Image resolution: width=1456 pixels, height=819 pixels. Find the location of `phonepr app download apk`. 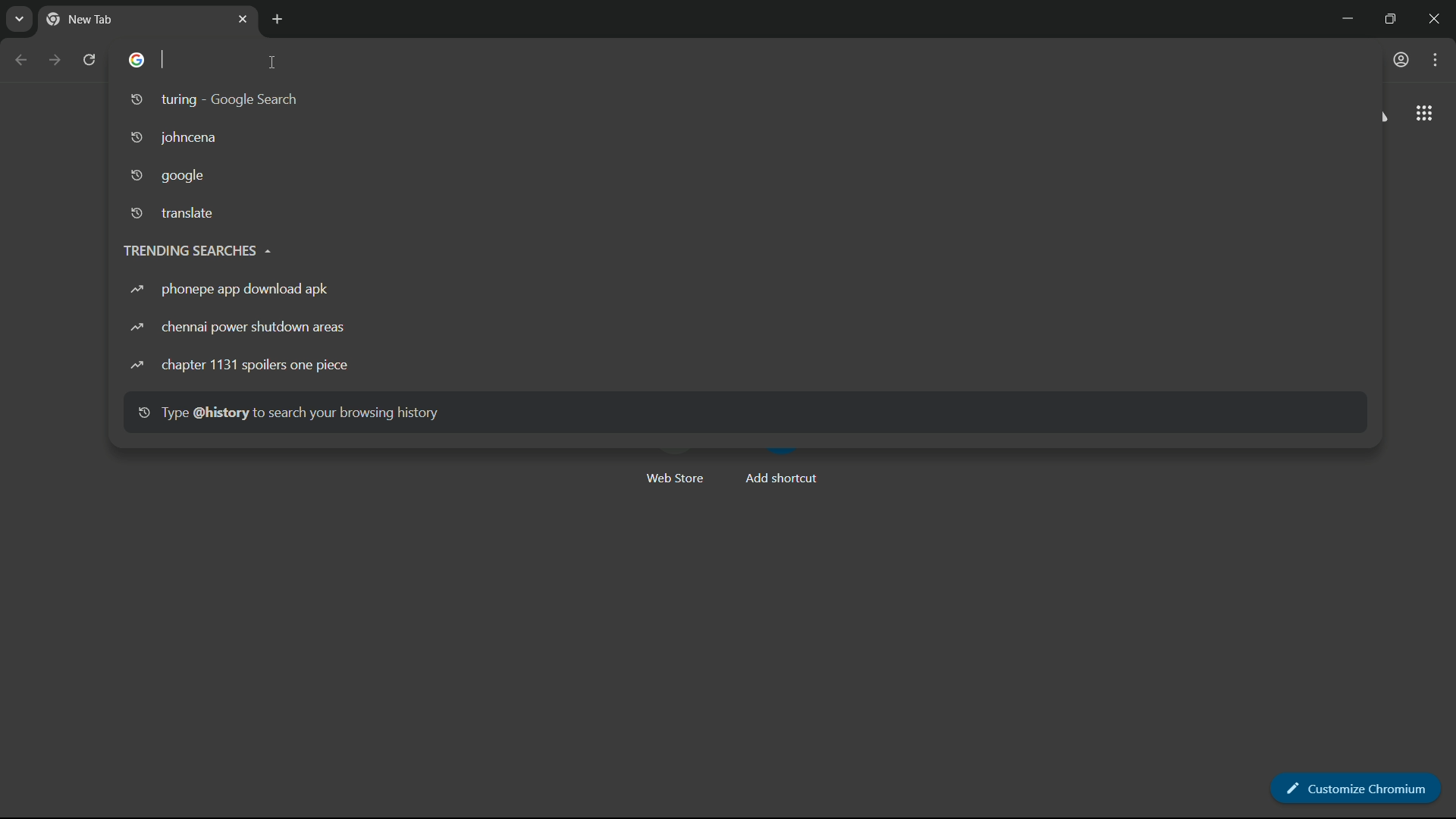

phonepr app download apk is located at coordinates (231, 290).